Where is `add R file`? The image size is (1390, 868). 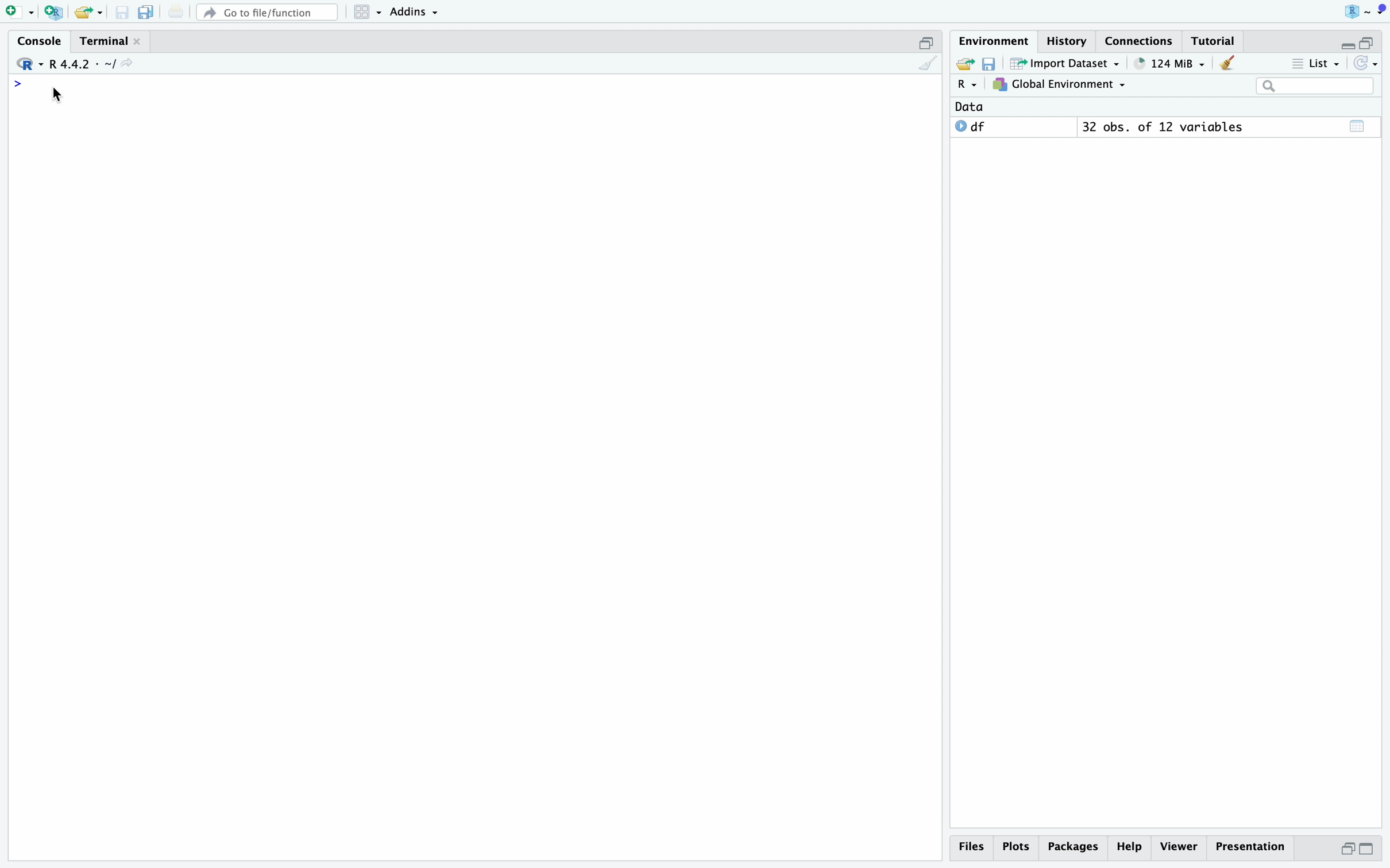 add R file is located at coordinates (55, 13).